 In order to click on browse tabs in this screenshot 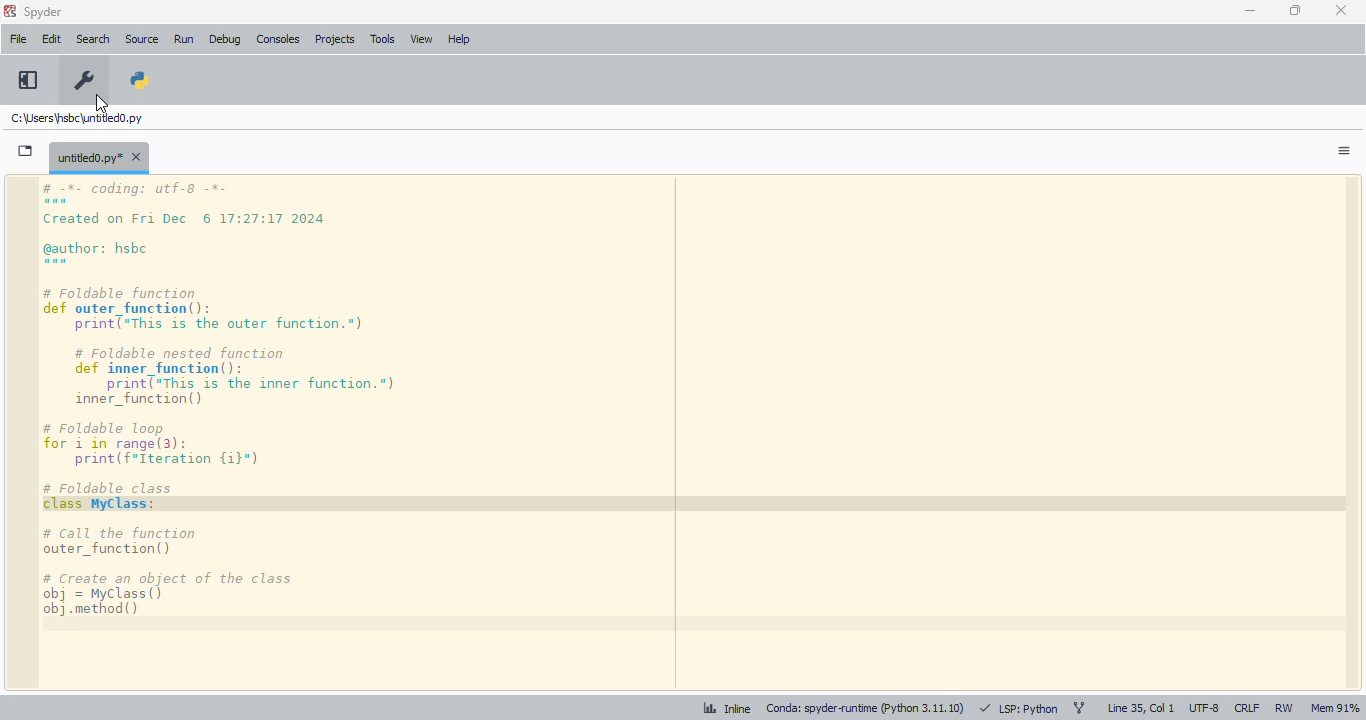, I will do `click(26, 151)`.